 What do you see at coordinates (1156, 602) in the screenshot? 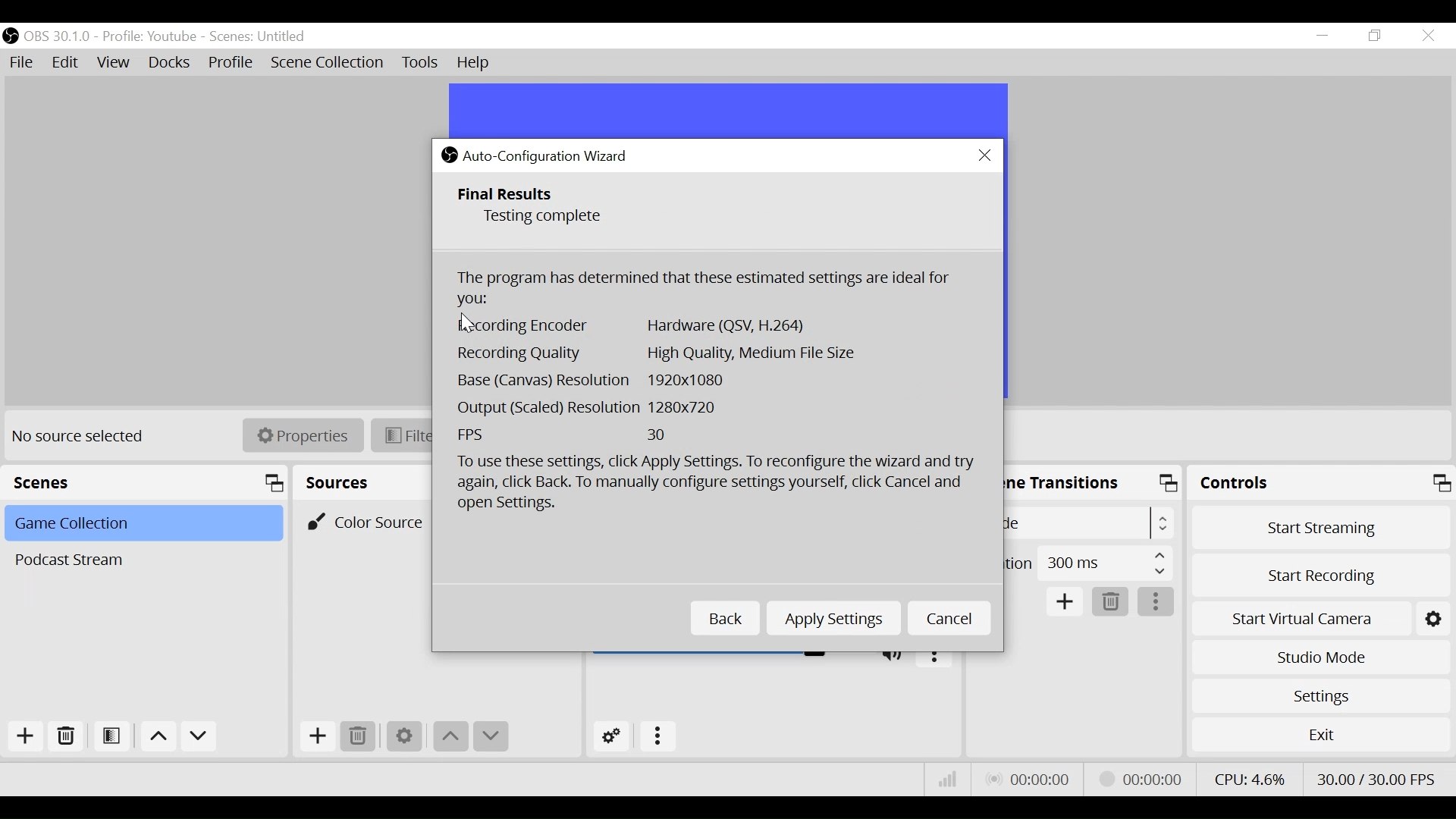
I see `more options` at bounding box center [1156, 602].